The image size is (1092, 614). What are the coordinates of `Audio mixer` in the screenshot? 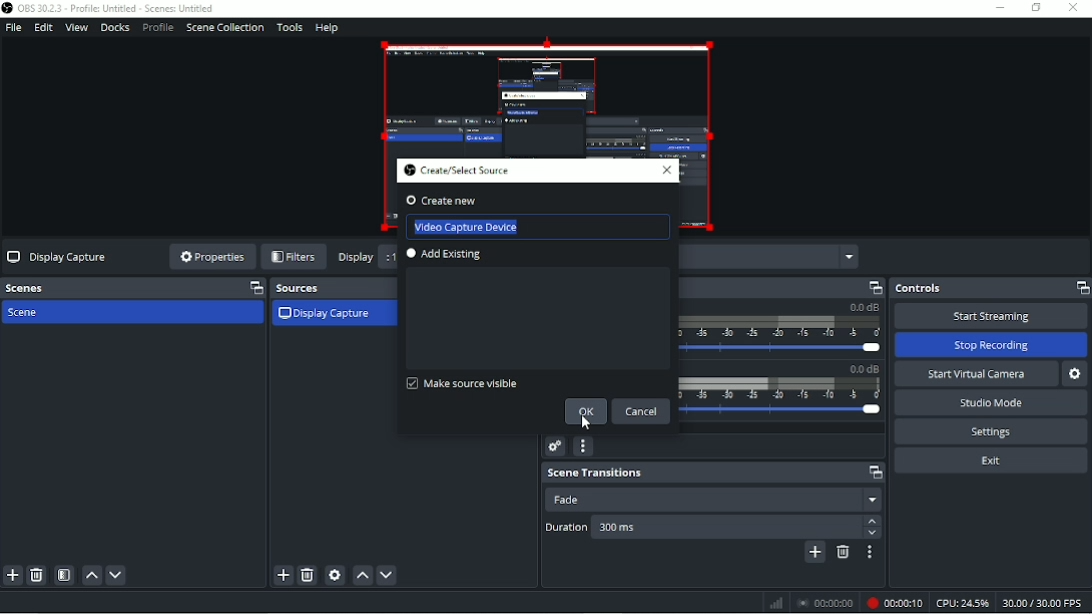 It's located at (786, 285).